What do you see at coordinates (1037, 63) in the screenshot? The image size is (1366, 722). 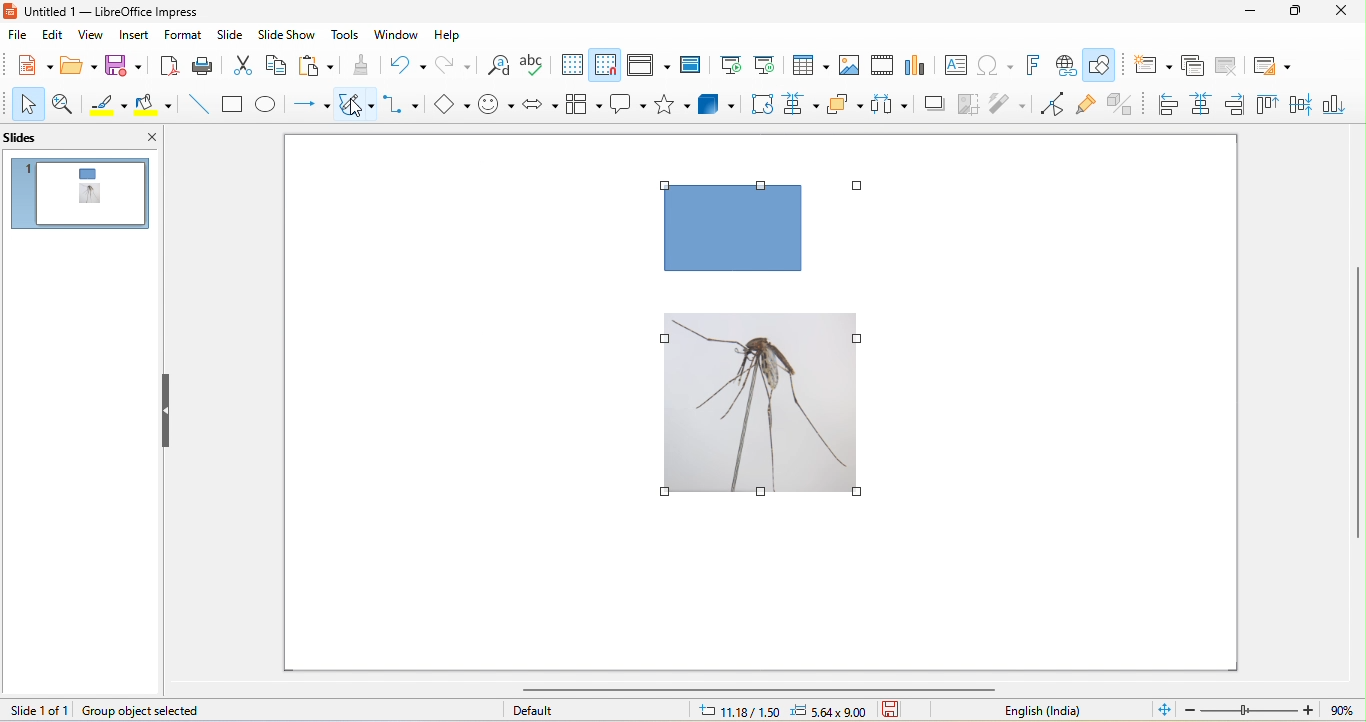 I see `fontwork text` at bounding box center [1037, 63].